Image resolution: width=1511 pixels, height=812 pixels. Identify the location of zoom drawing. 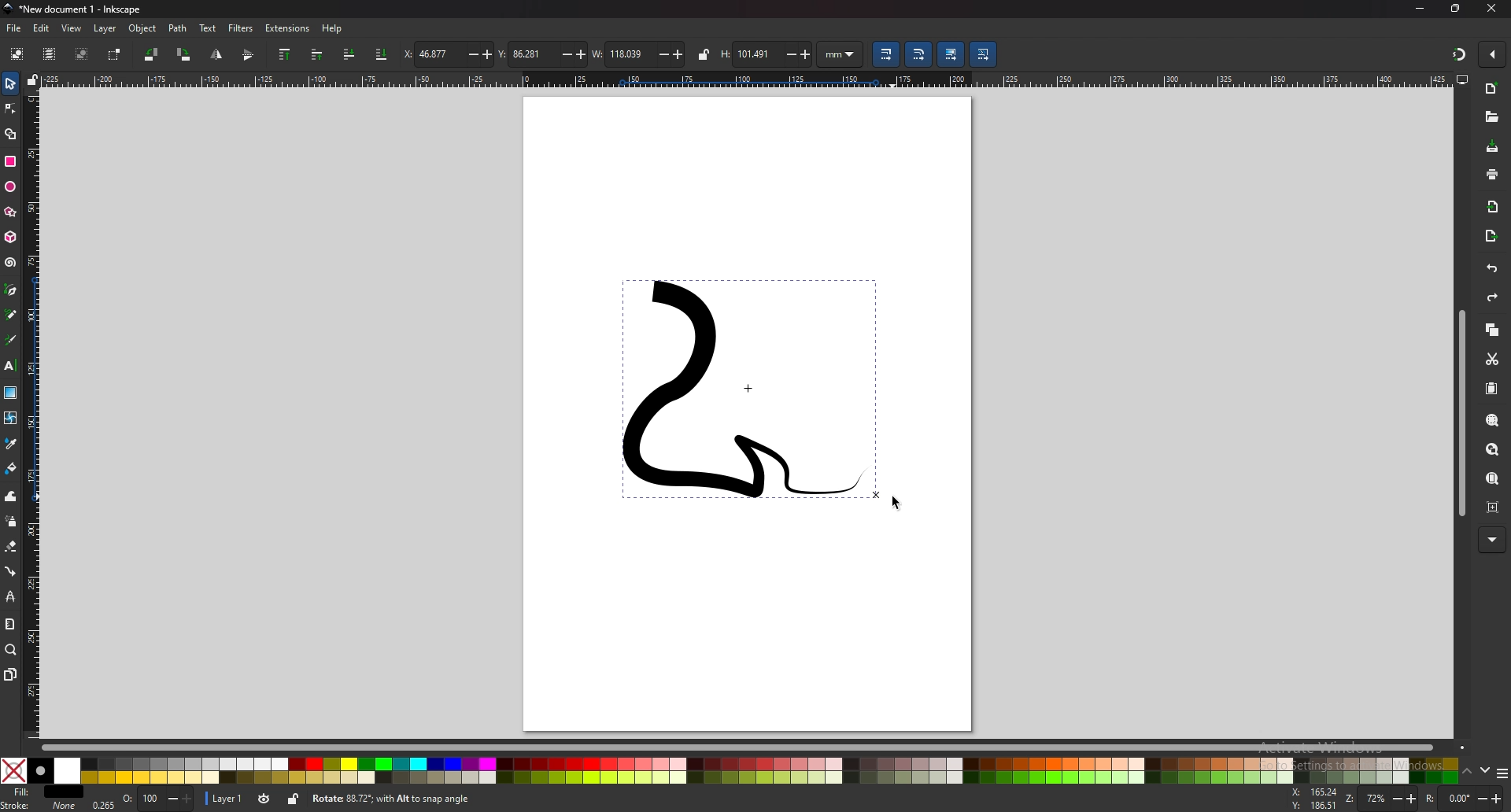
(1492, 450).